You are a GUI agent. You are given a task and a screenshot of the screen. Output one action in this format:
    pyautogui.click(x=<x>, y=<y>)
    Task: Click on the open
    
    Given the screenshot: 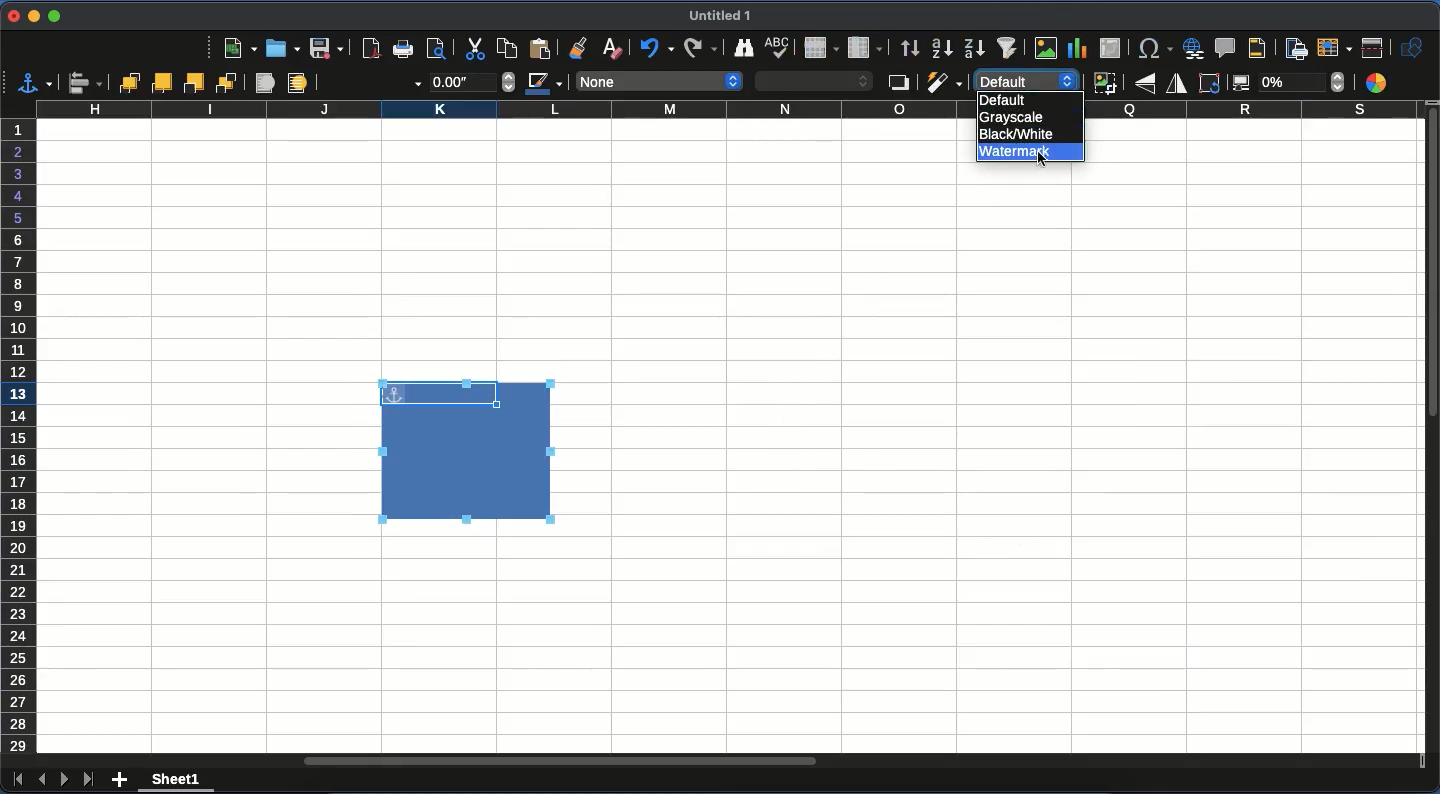 What is the action you would take?
    pyautogui.click(x=283, y=50)
    